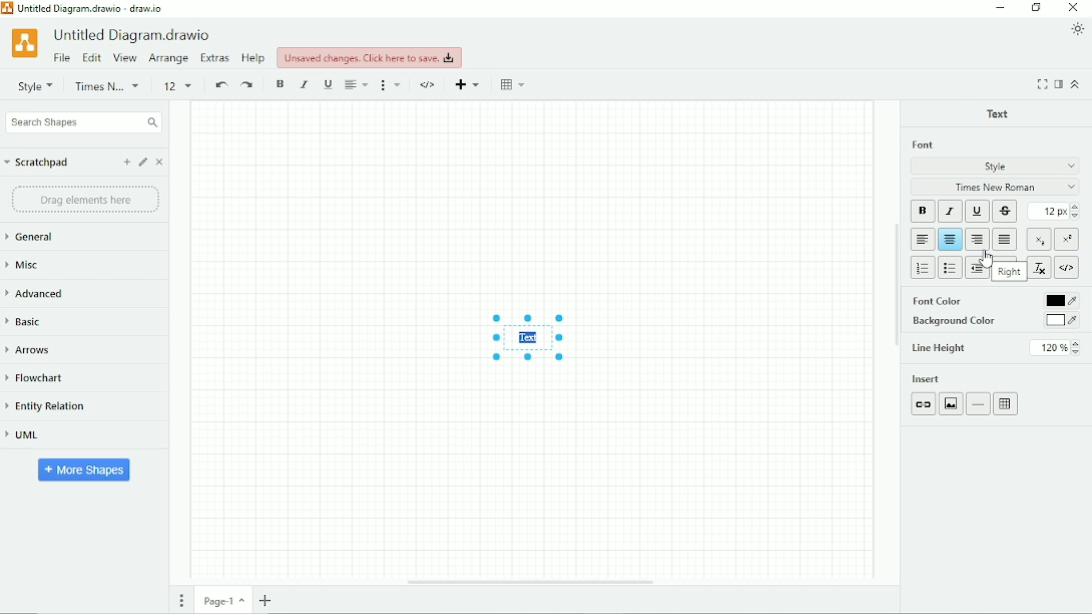 The height and width of the screenshot is (614, 1092). I want to click on Font, so click(922, 145).